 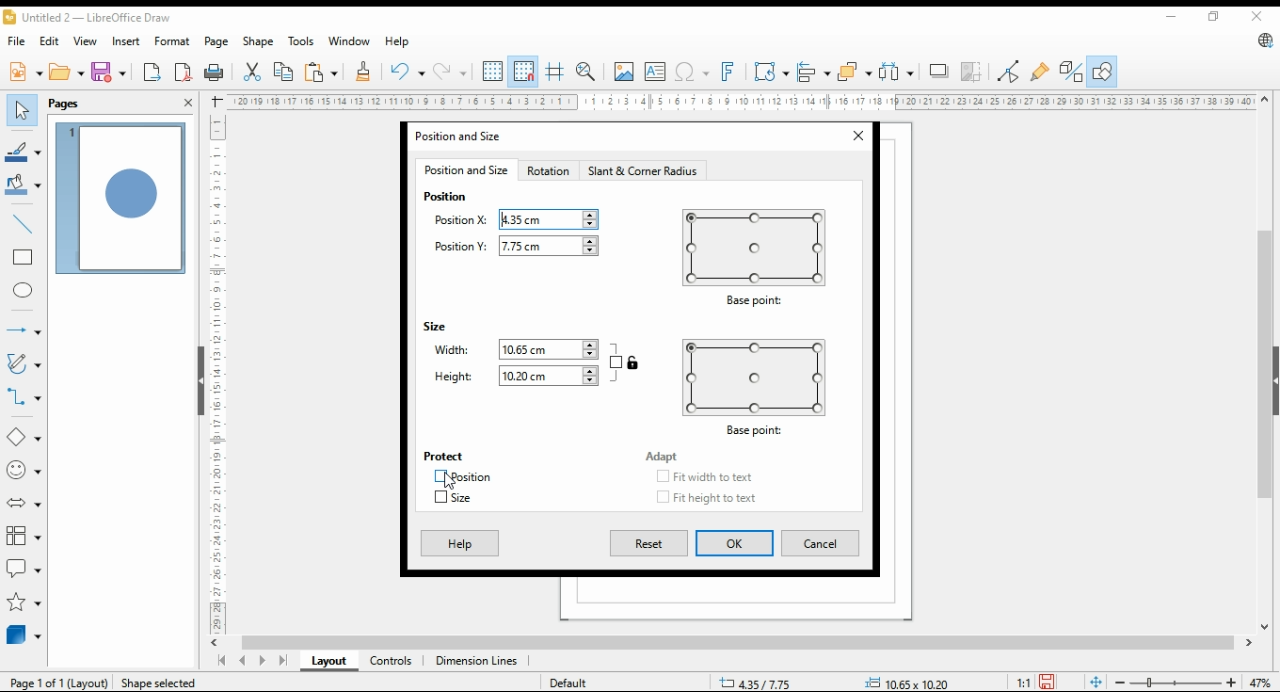 What do you see at coordinates (1071, 70) in the screenshot?
I see `toggle extrusions` at bounding box center [1071, 70].